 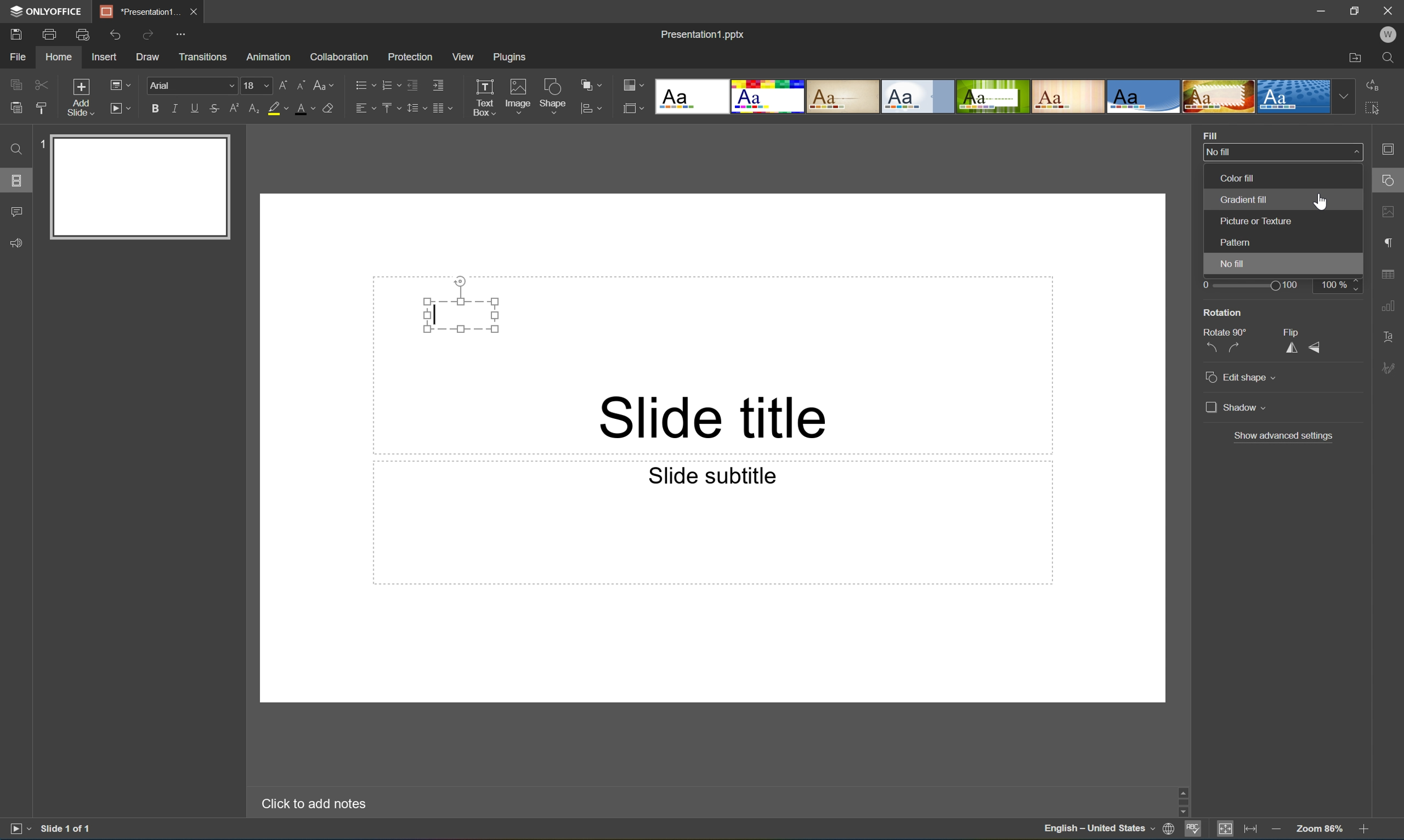 What do you see at coordinates (44, 11) in the screenshot?
I see `ONYOFFICE` at bounding box center [44, 11].